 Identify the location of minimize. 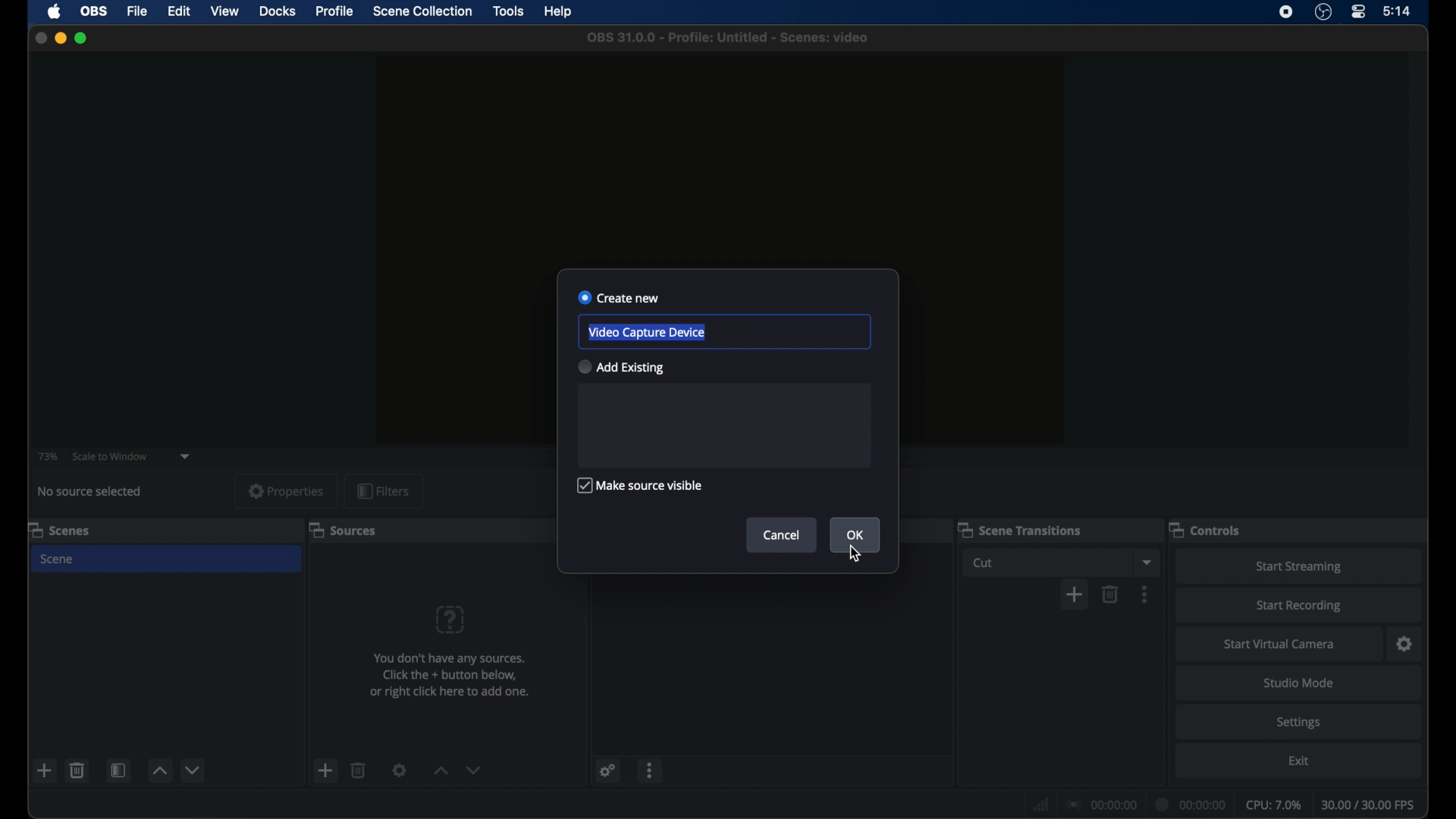
(61, 38).